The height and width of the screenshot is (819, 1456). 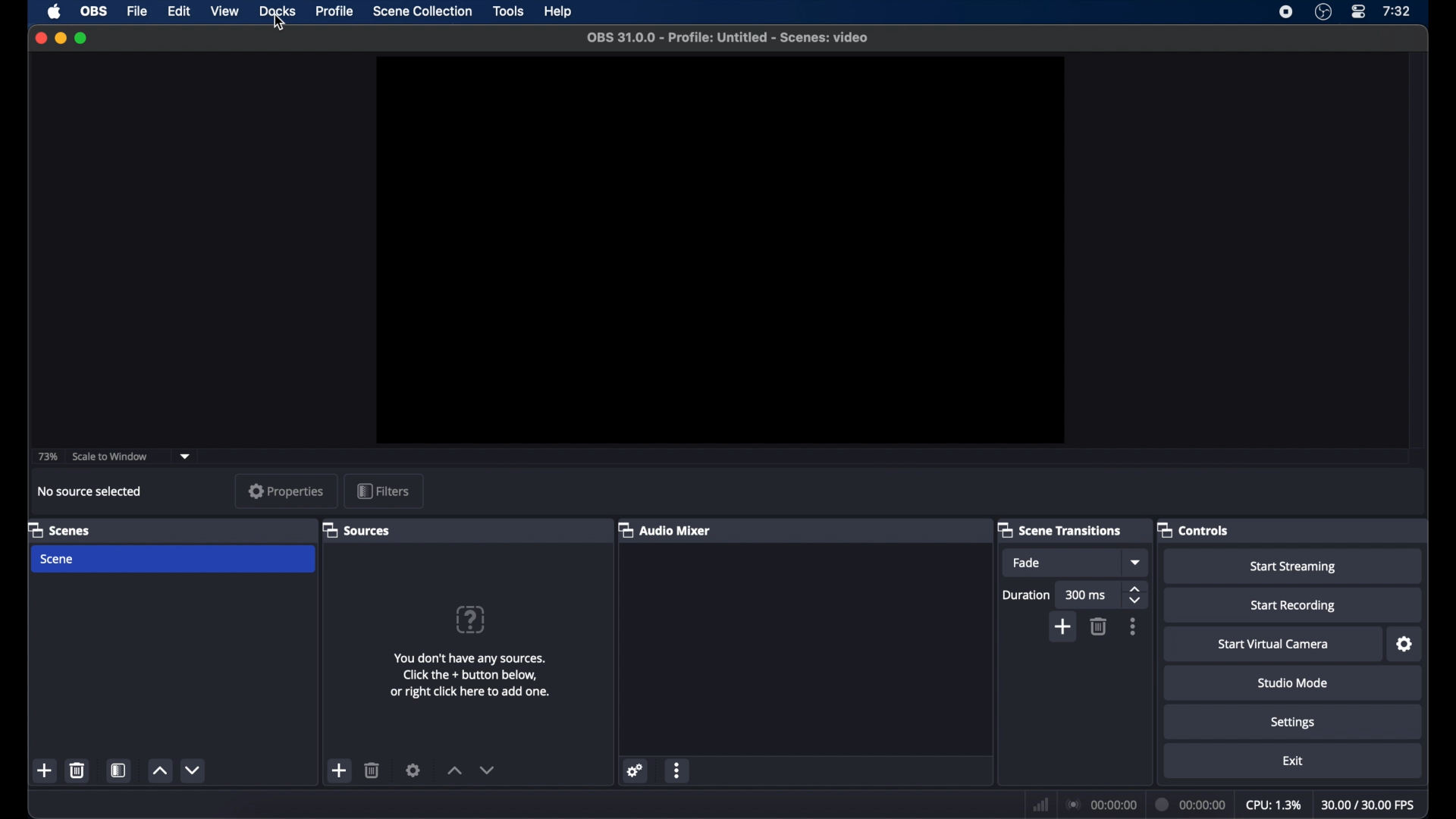 What do you see at coordinates (1370, 805) in the screenshot?
I see `30.00/30.00 FPS` at bounding box center [1370, 805].